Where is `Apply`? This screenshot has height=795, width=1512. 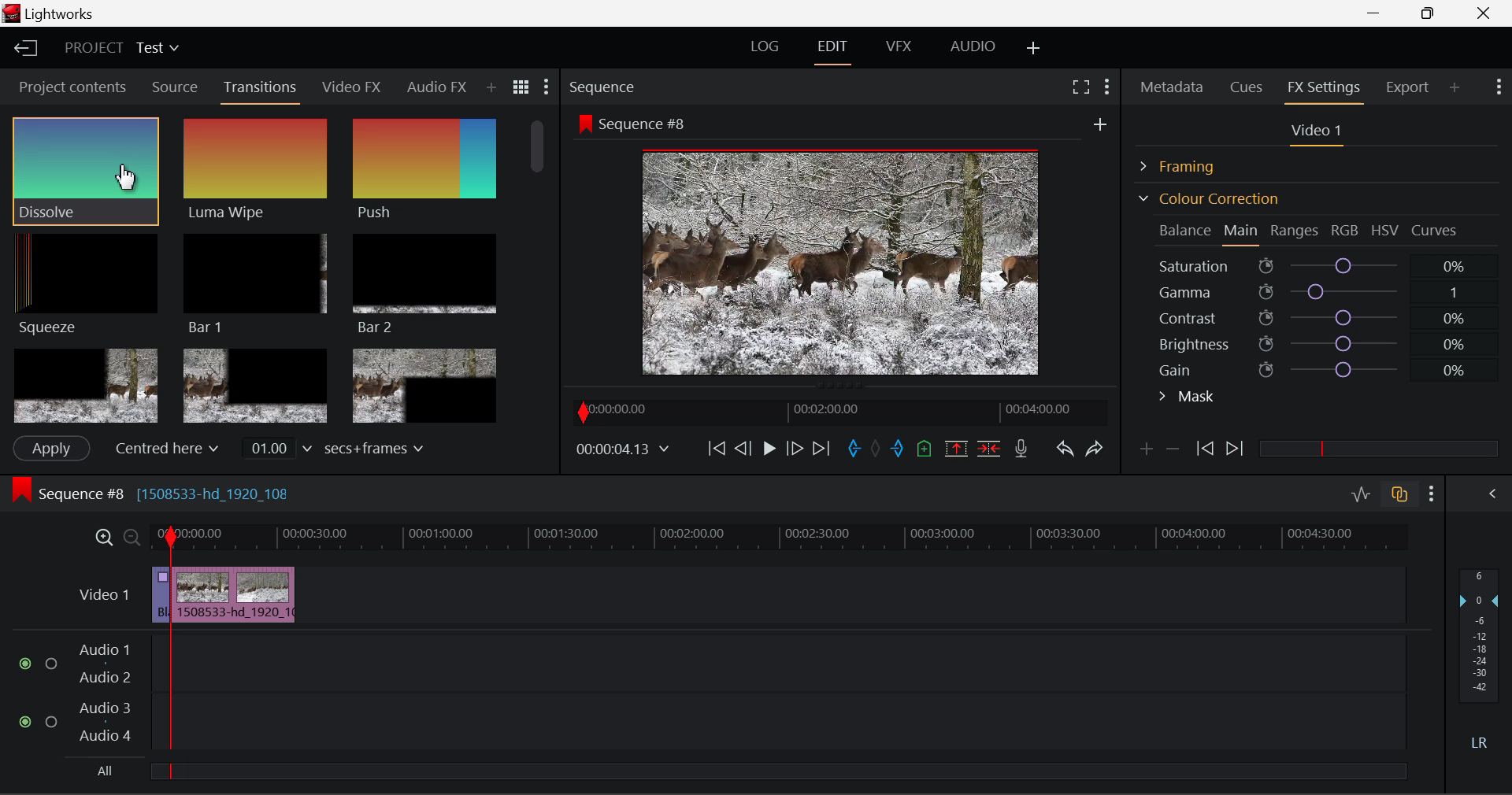
Apply is located at coordinates (50, 448).